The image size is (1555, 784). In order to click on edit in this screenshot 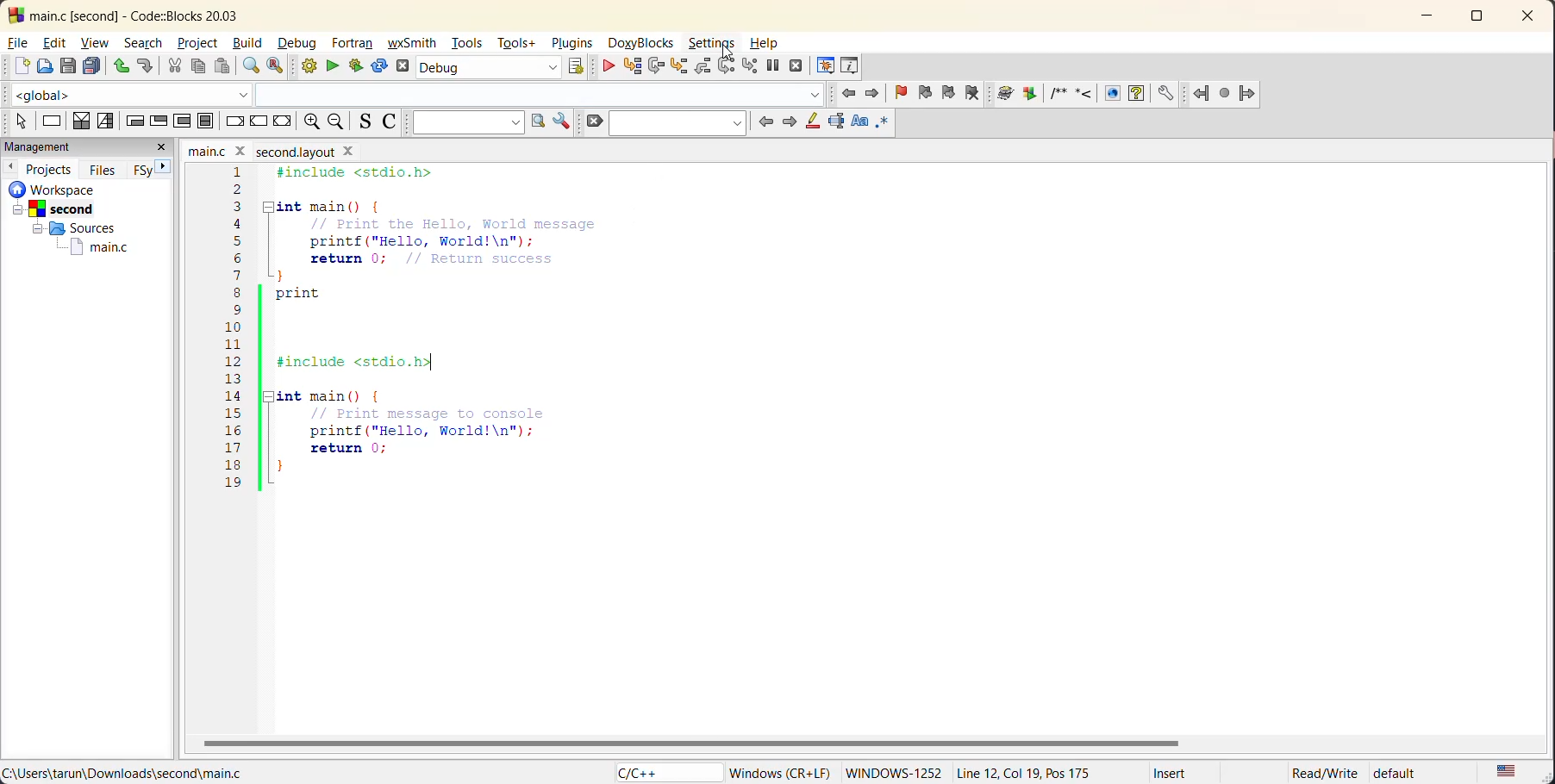, I will do `click(54, 44)`.